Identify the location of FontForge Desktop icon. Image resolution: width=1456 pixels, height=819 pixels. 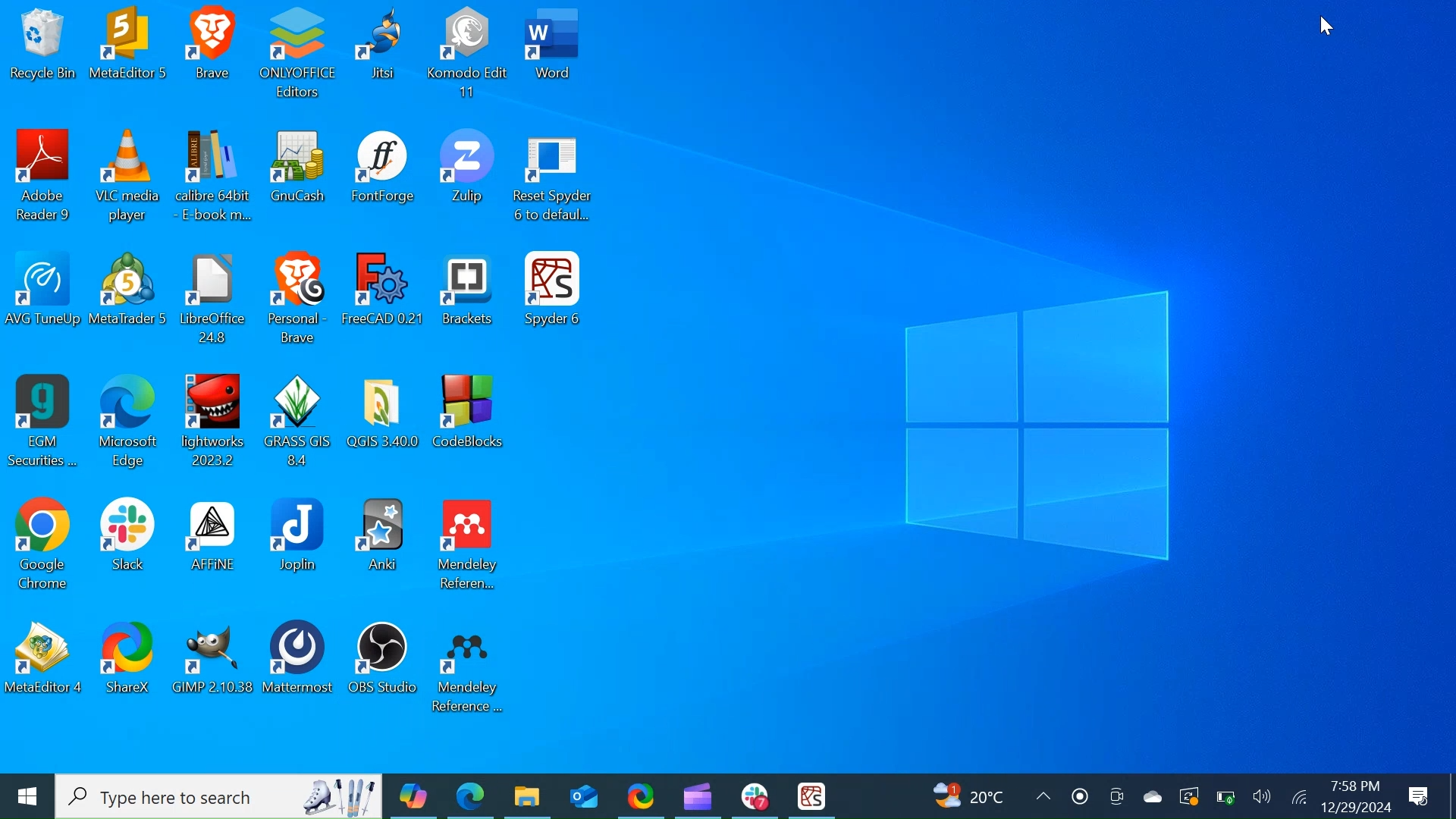
(384, 177).